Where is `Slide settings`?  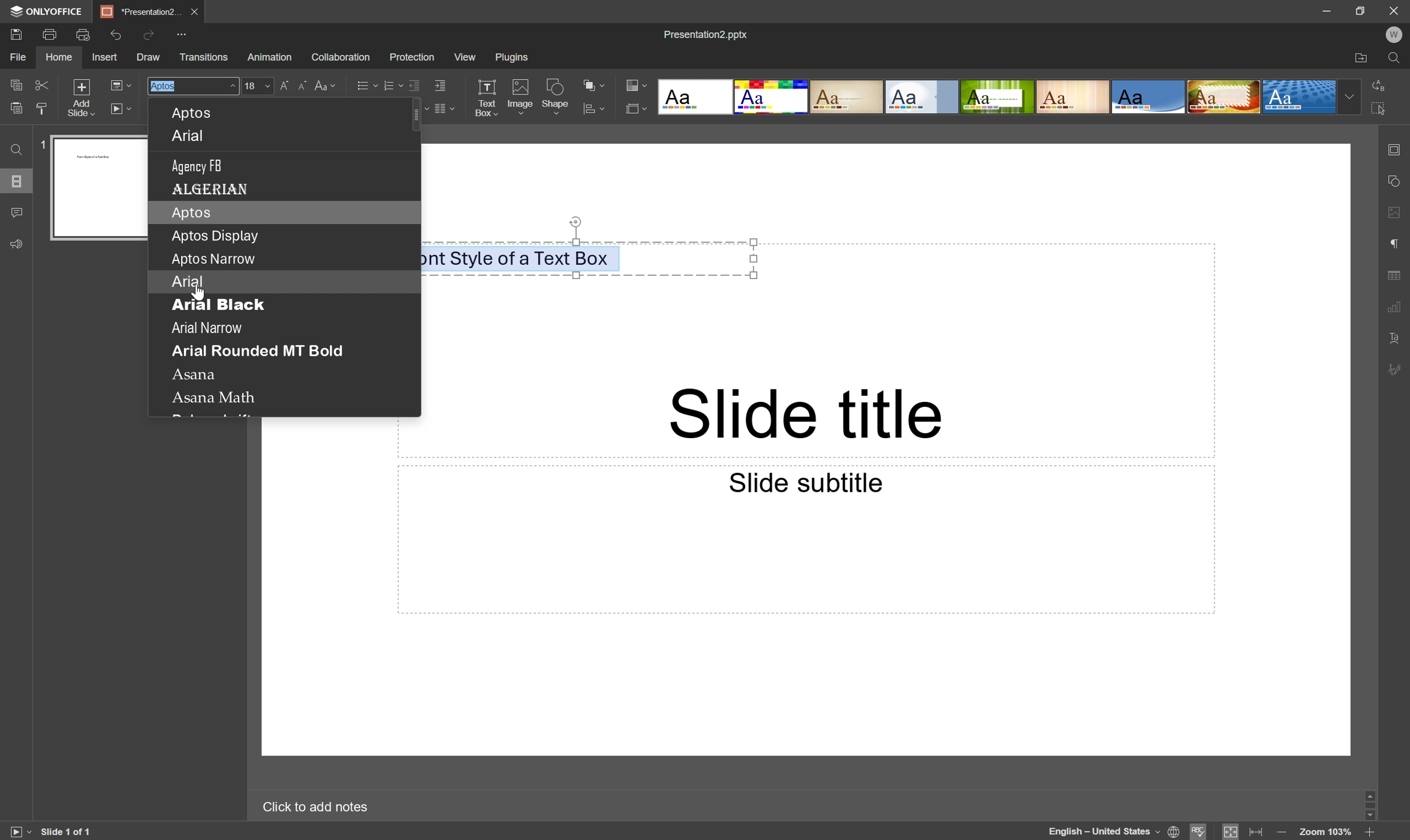 Slide settings is located at coordinates (1398, 149).